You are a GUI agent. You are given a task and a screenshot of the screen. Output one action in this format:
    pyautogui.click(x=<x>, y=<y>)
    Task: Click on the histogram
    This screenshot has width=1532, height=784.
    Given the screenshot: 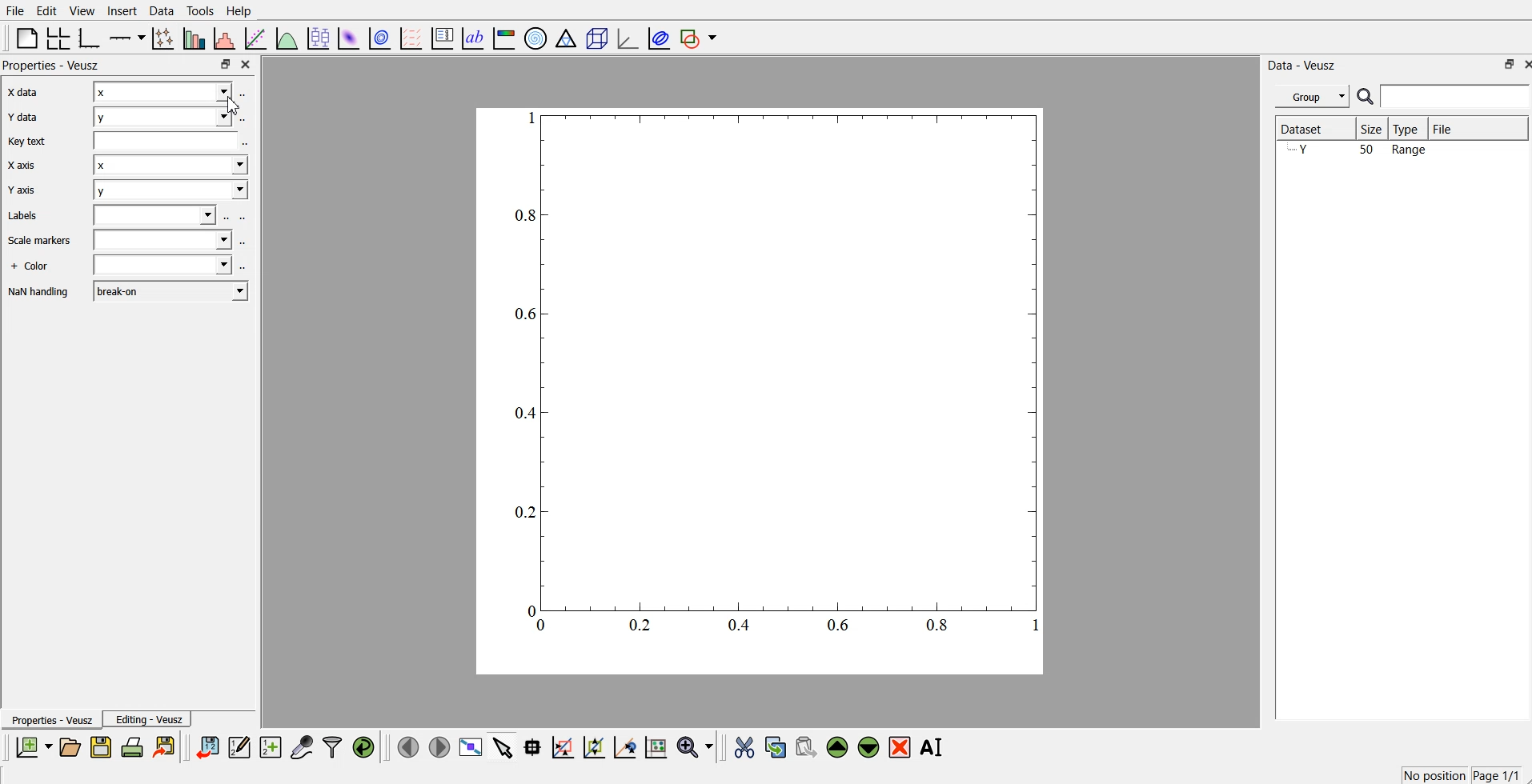 What is the action you would take?
    pyautogui.click(x=226, y=37)
    